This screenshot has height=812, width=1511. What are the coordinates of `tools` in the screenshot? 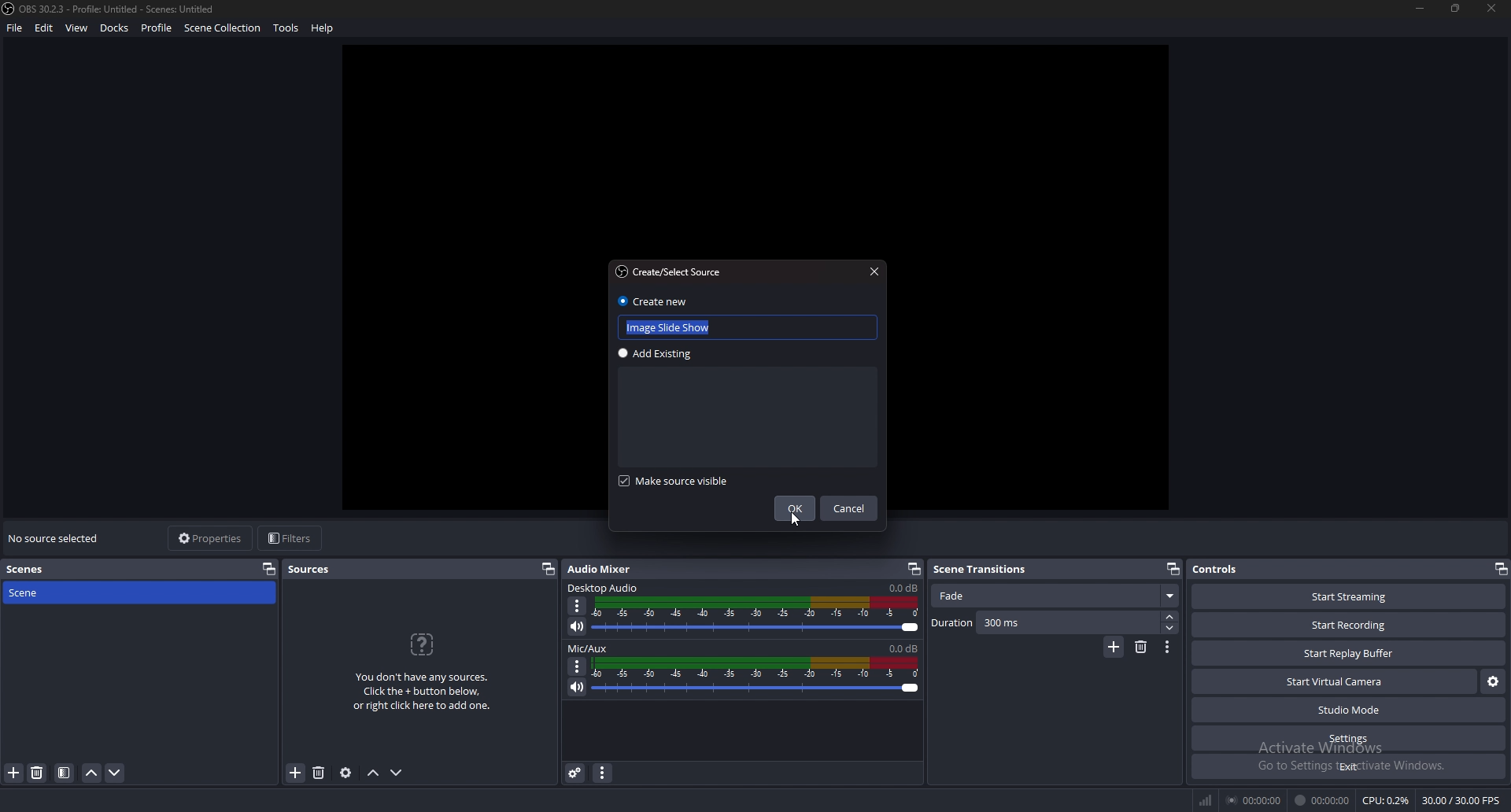 It's located at (287, 28).